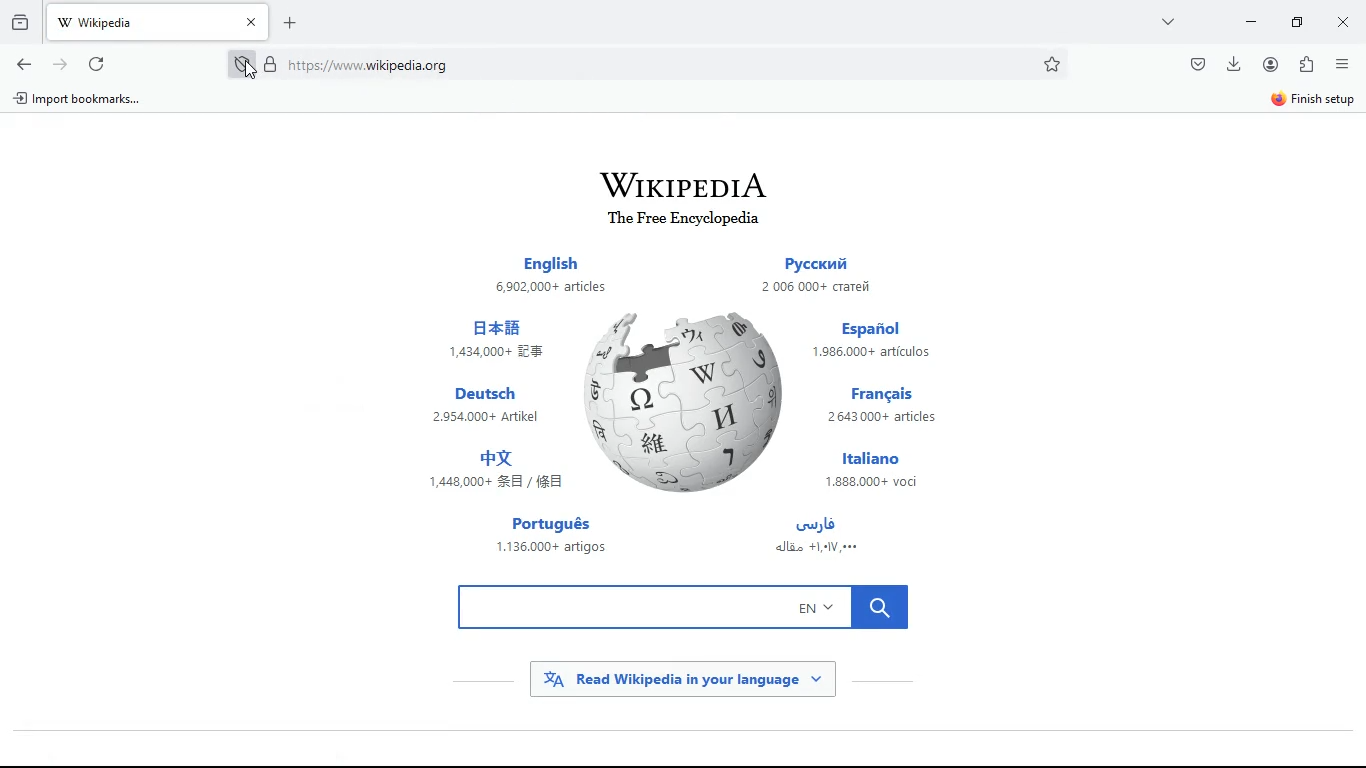  What do you see at coordinates (100, 64) in the screenshot?
I see `refresh` at bounding box center [100, 64].